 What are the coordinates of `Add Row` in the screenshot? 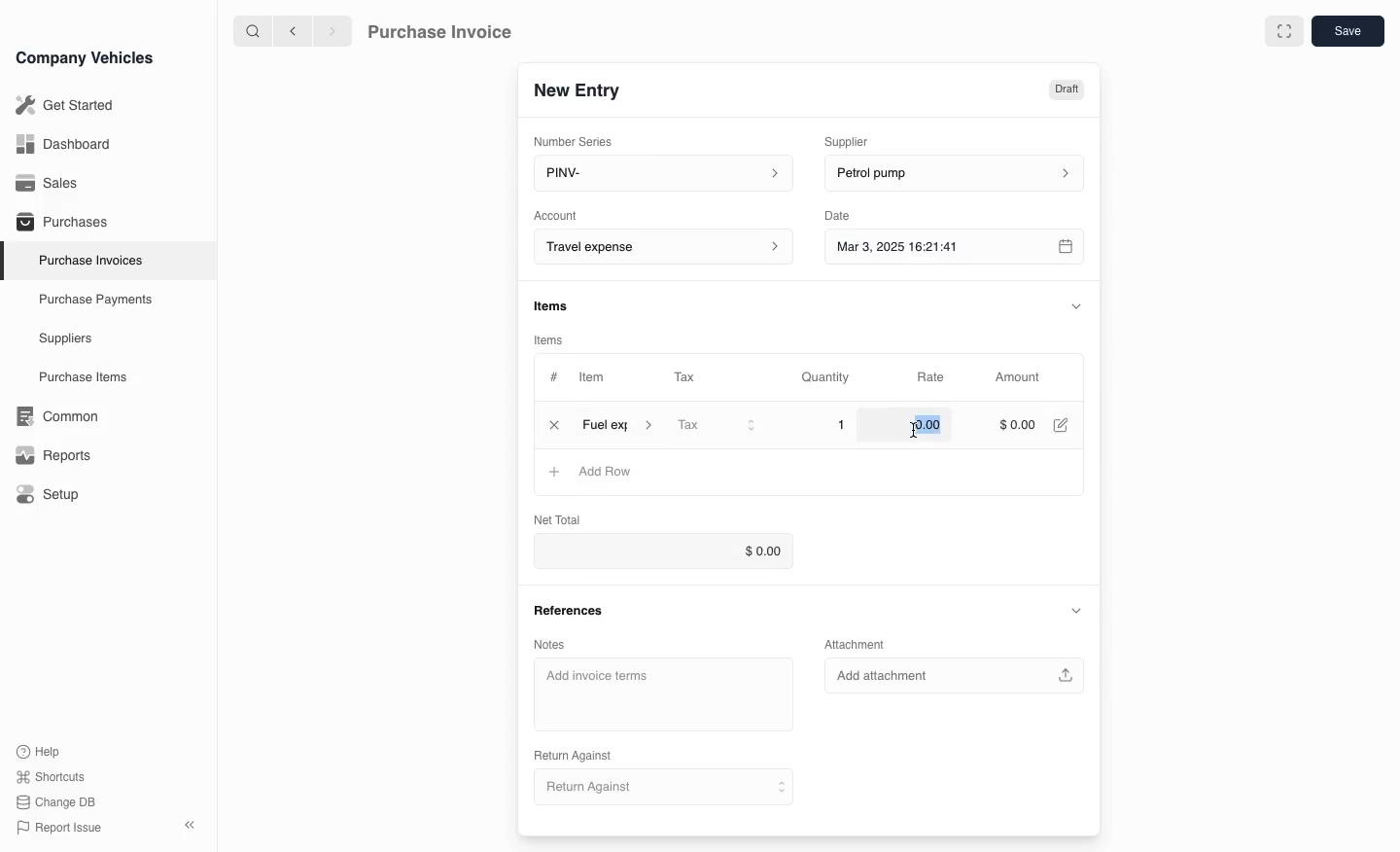 It's located at (589, 473).